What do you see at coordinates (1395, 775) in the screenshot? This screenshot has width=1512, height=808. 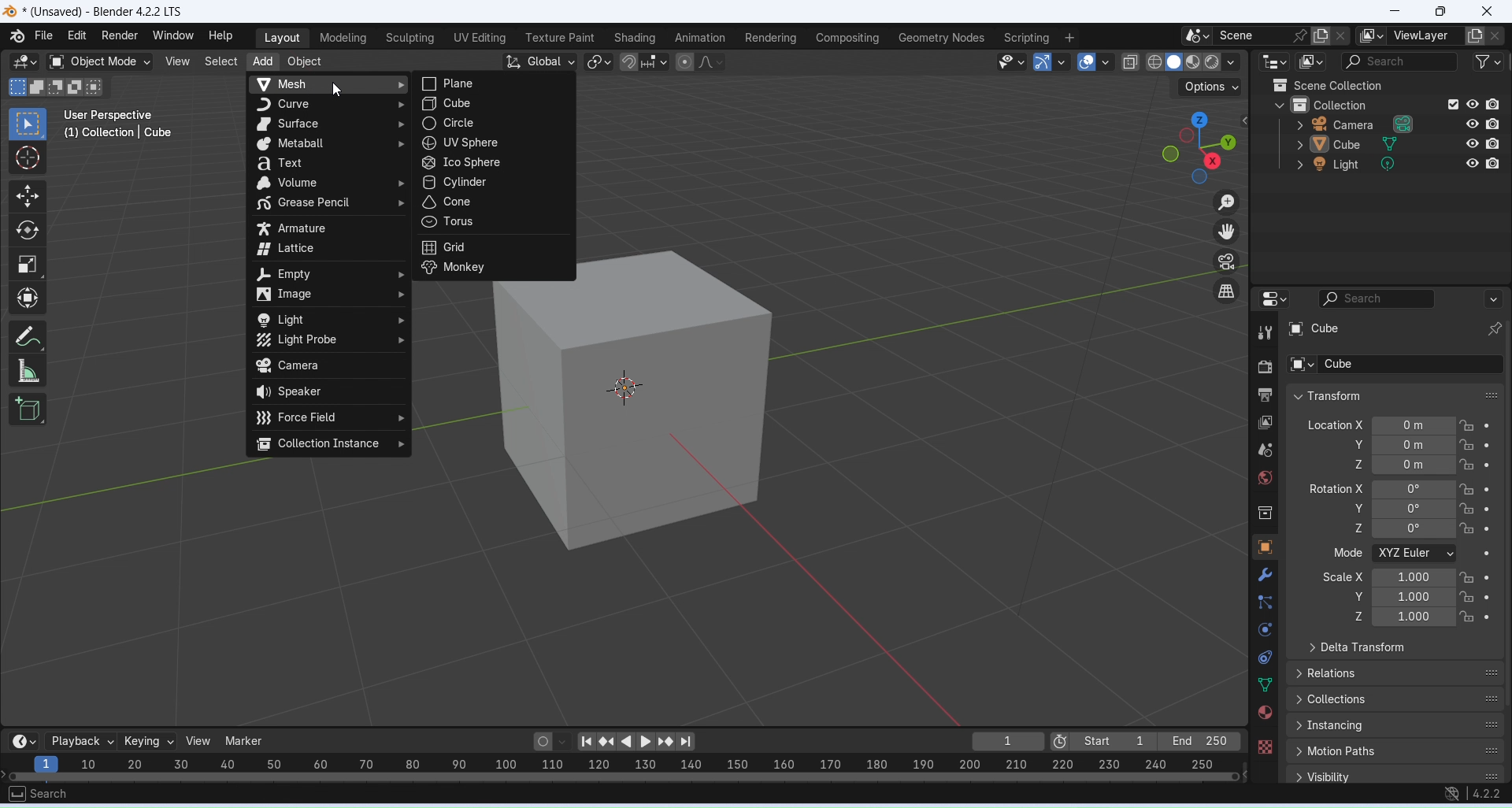 I see `Visibility` at bounding box center [1395, 775].